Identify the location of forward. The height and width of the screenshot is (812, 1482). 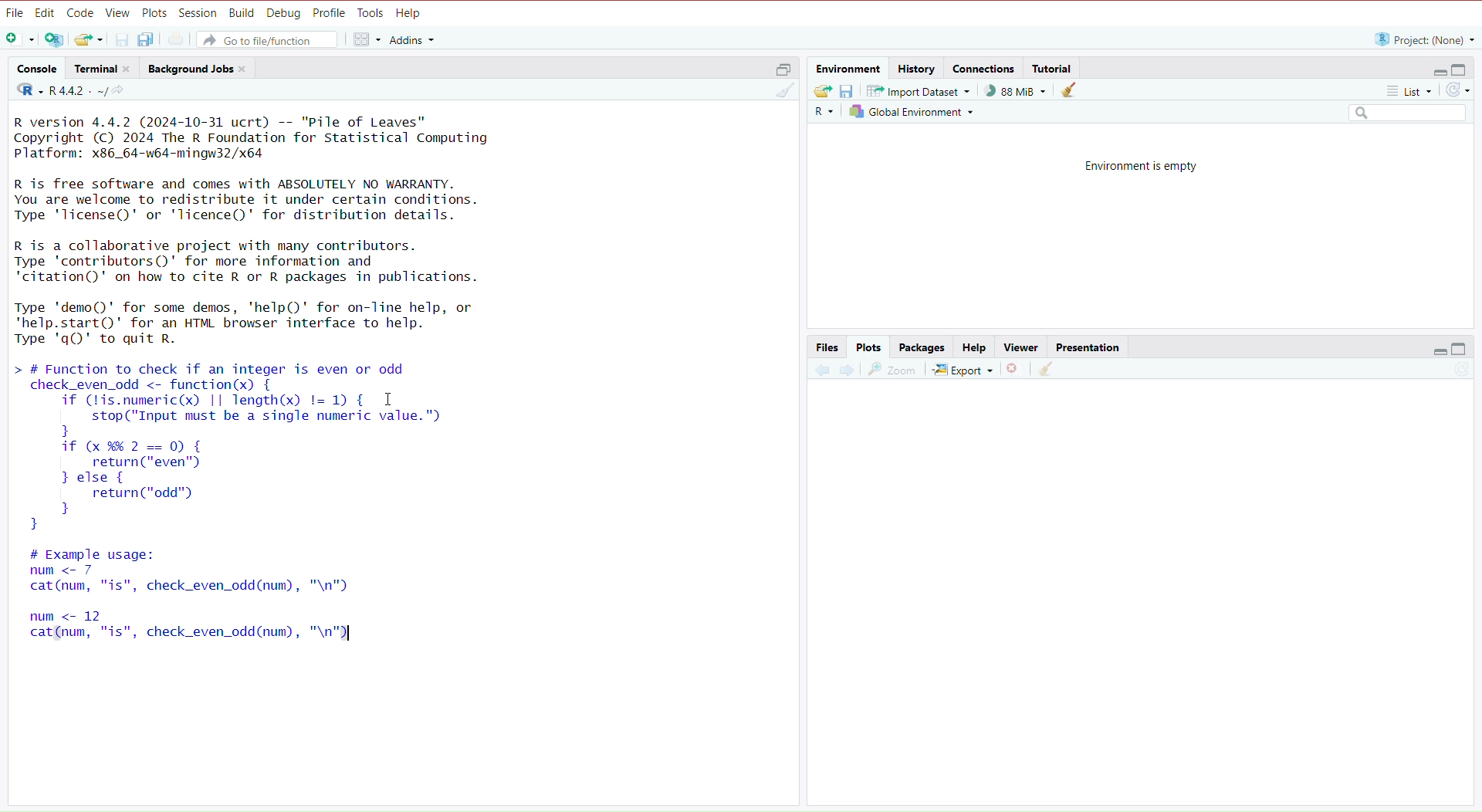
(847, 373).